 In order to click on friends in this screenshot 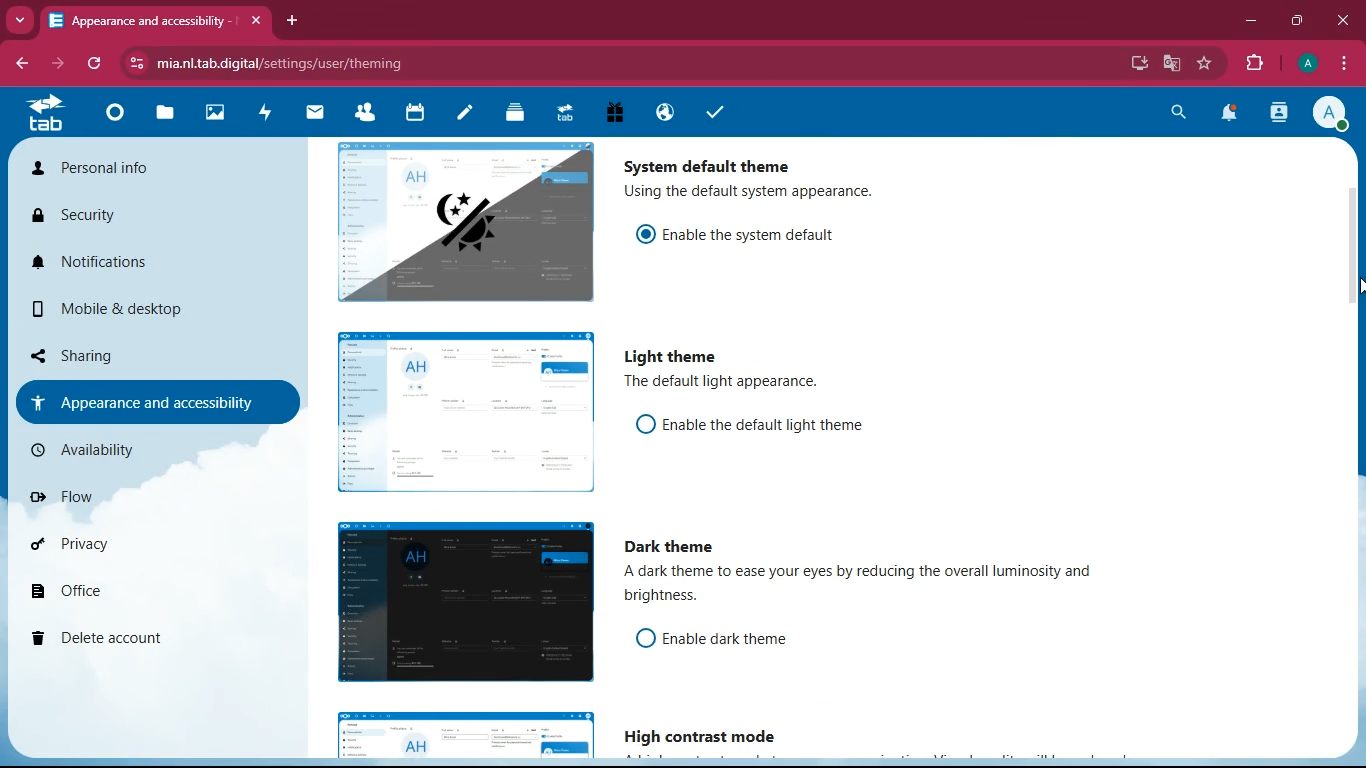, I will do `click(369, 114)`.